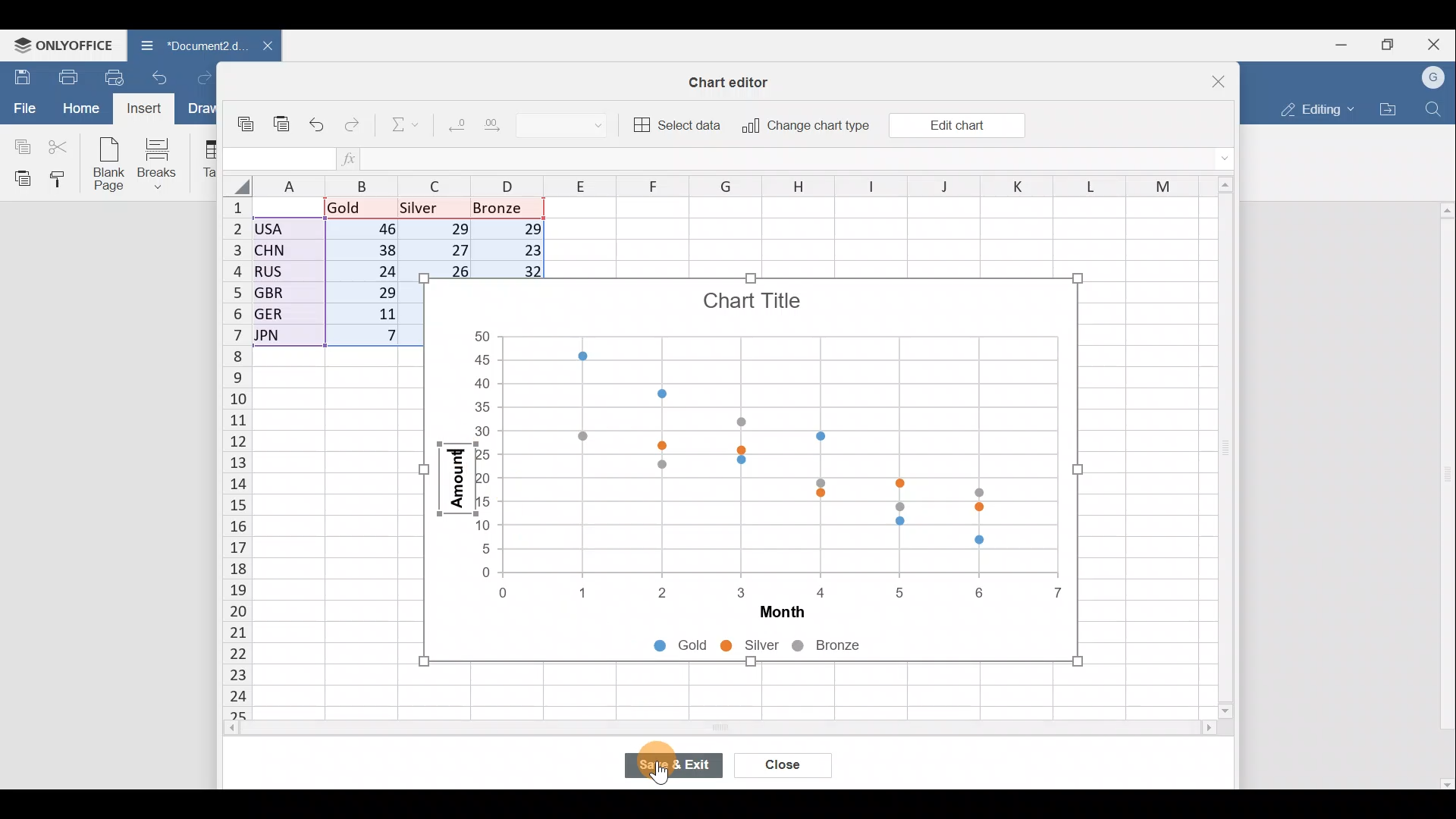 This screenshot has height=819, width=1456. I want to click on Select data, so click(679, 125).